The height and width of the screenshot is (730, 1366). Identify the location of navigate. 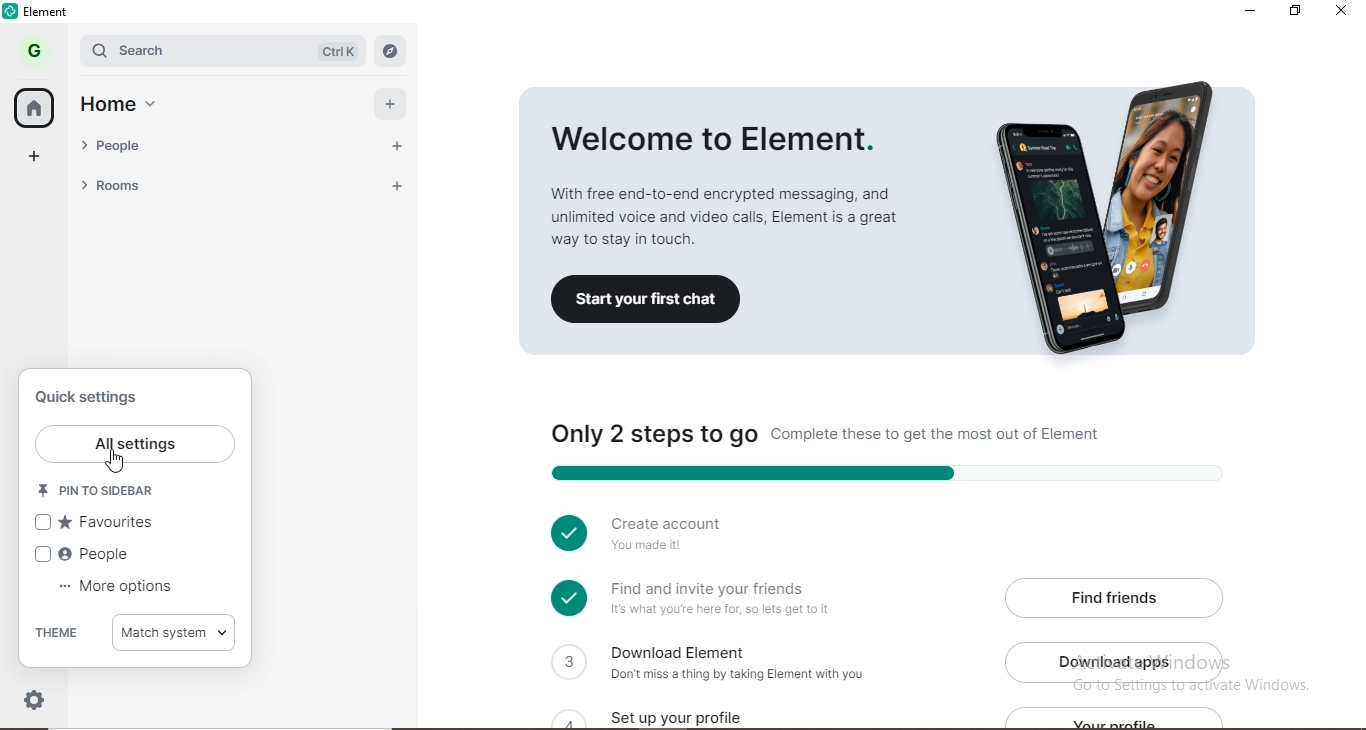
(388, 51).